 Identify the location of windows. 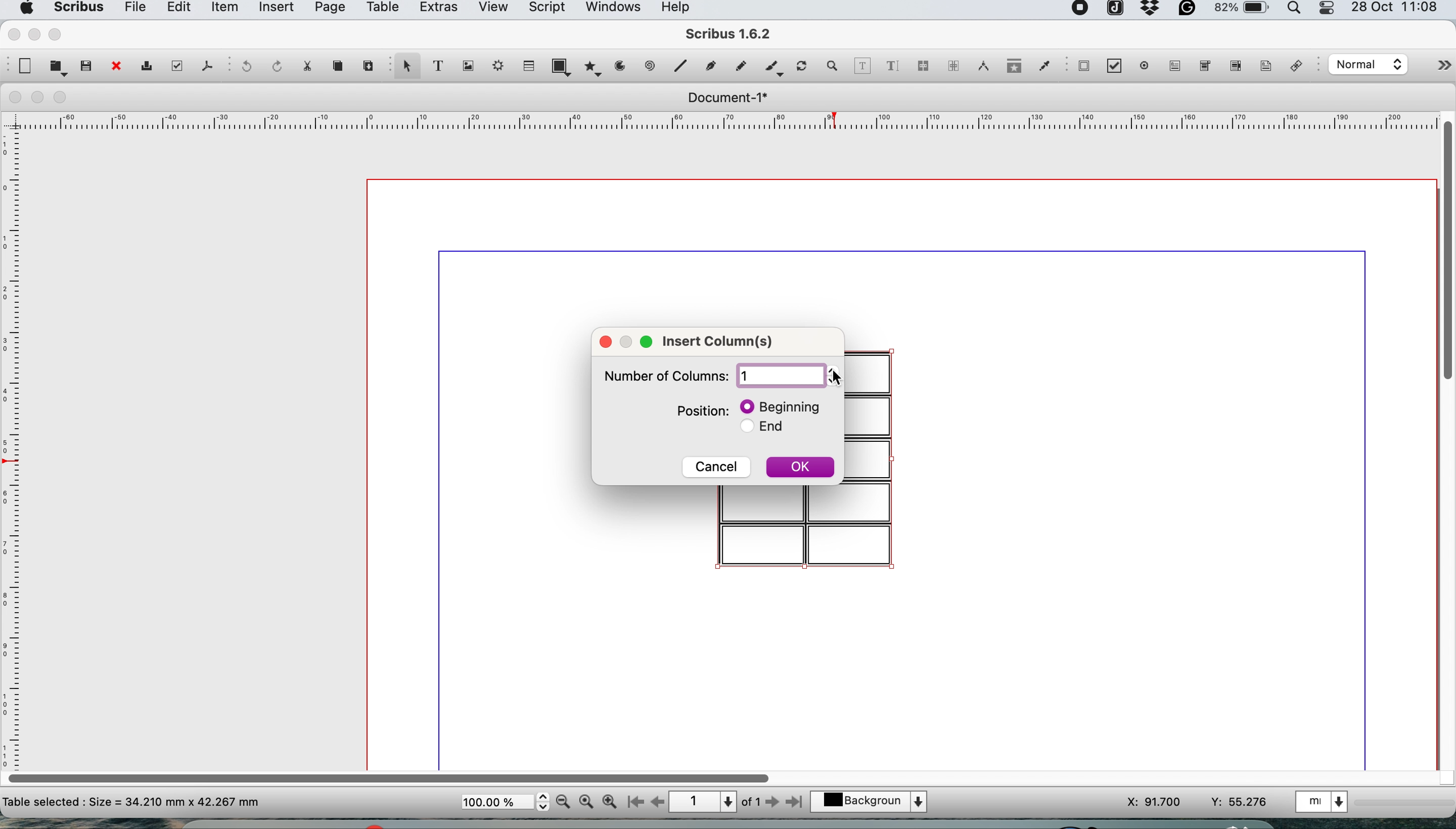
(612, 10).